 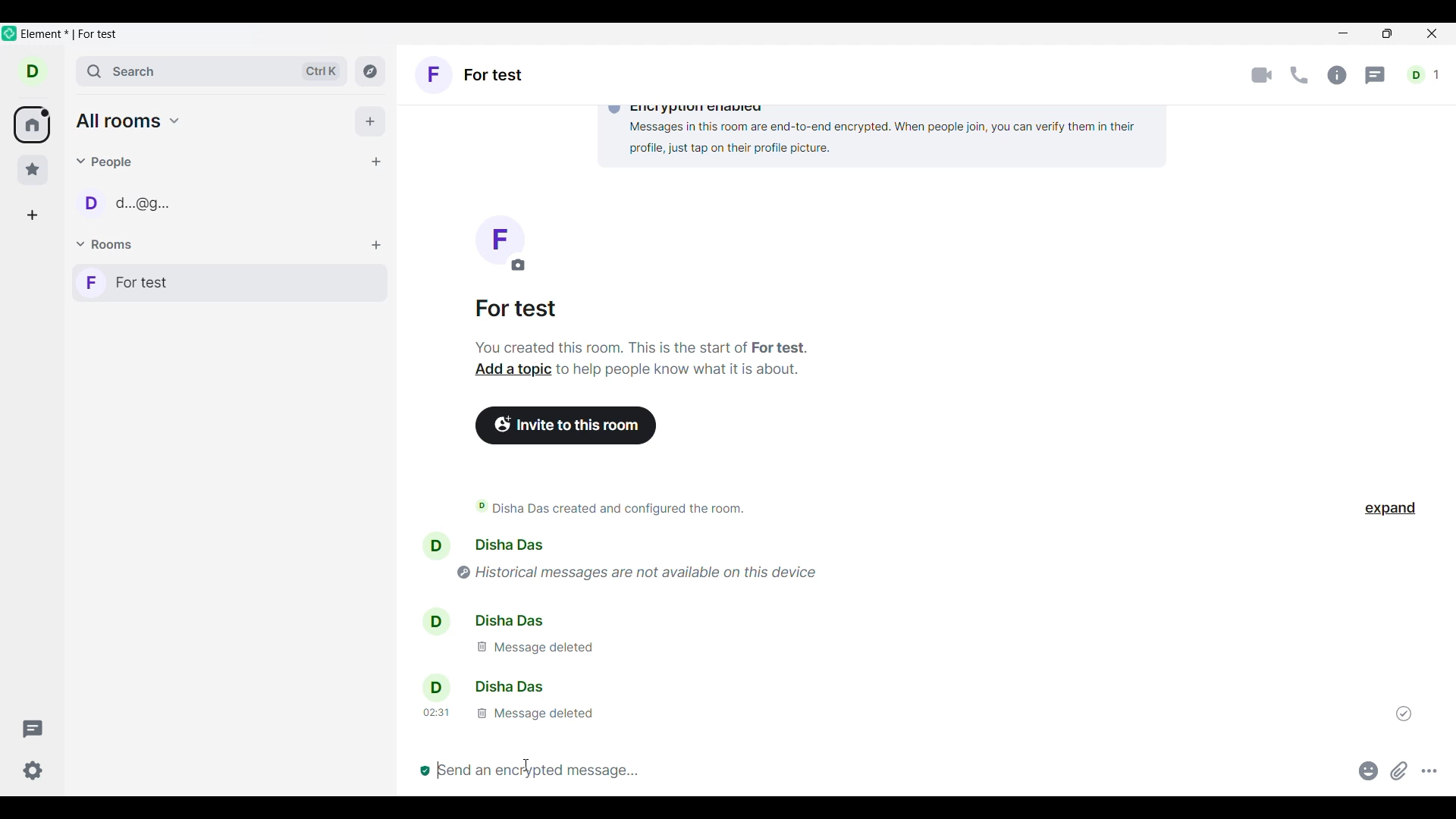 I want to click on Search room, so click(x=213, y=71).